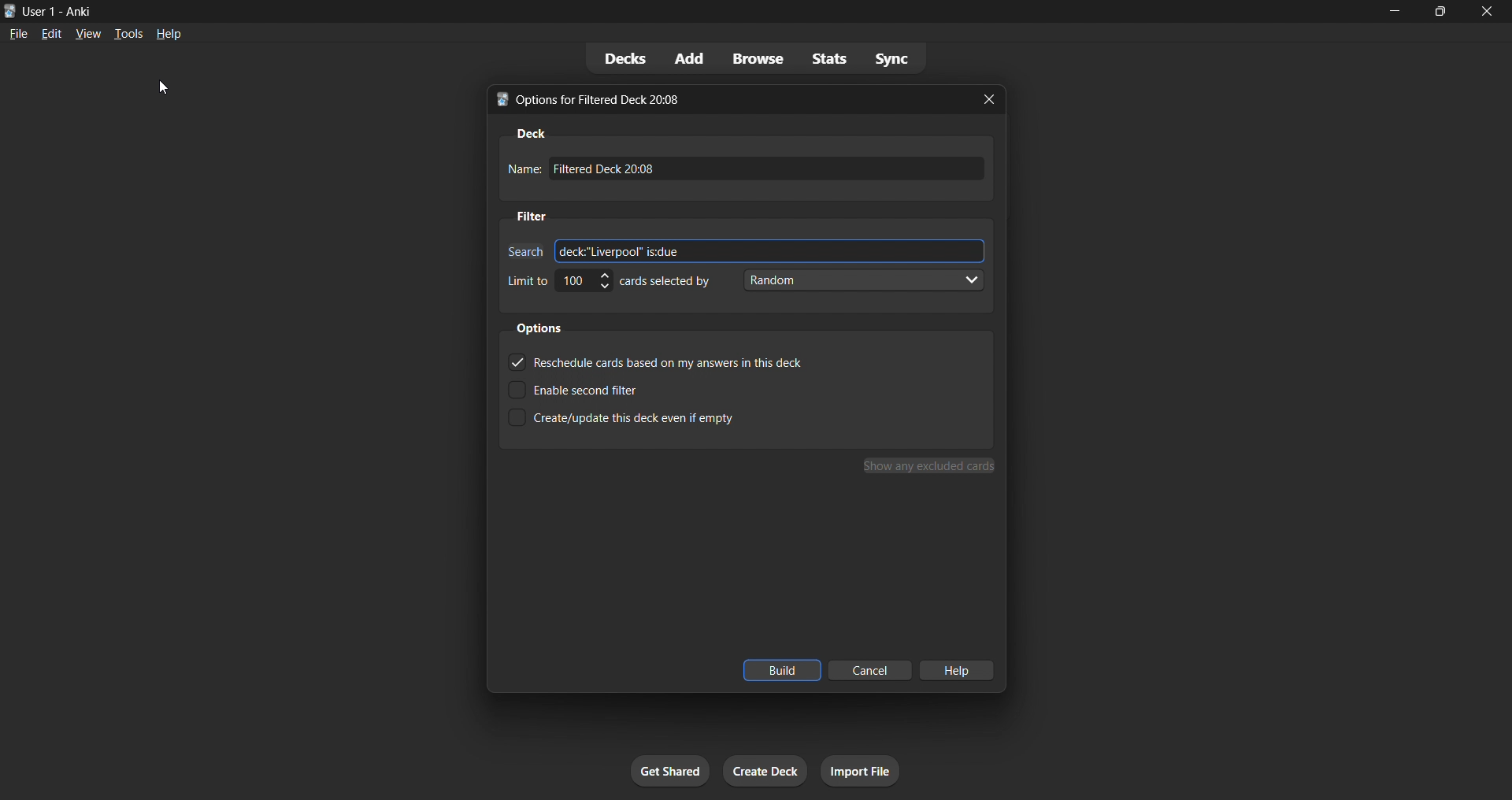 The width and height of the screenshot is (1512, 800). I want to click on random card selection option, so click(861, 280).